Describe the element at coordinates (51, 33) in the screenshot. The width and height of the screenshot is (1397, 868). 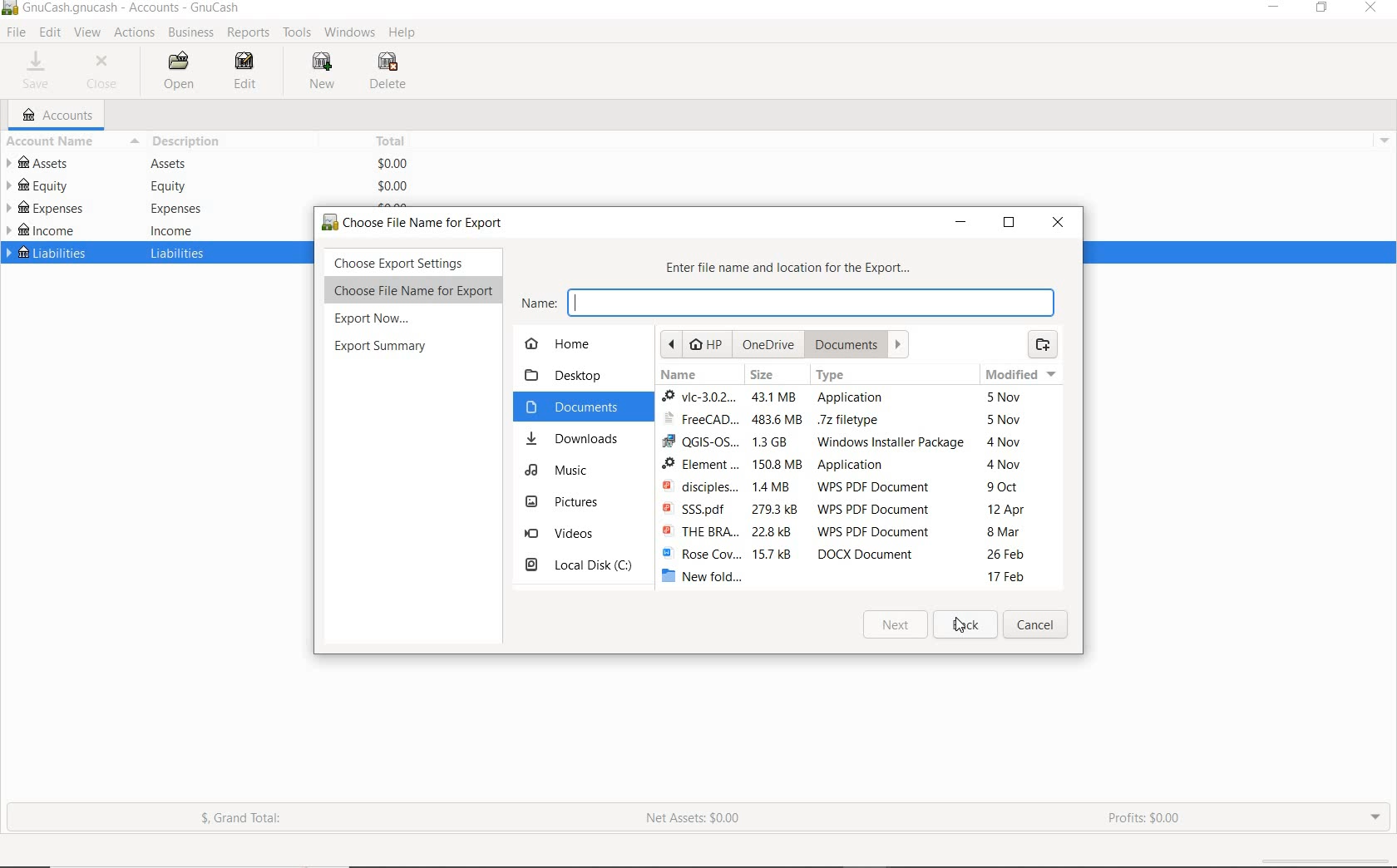
I see `EDIT` at that location.